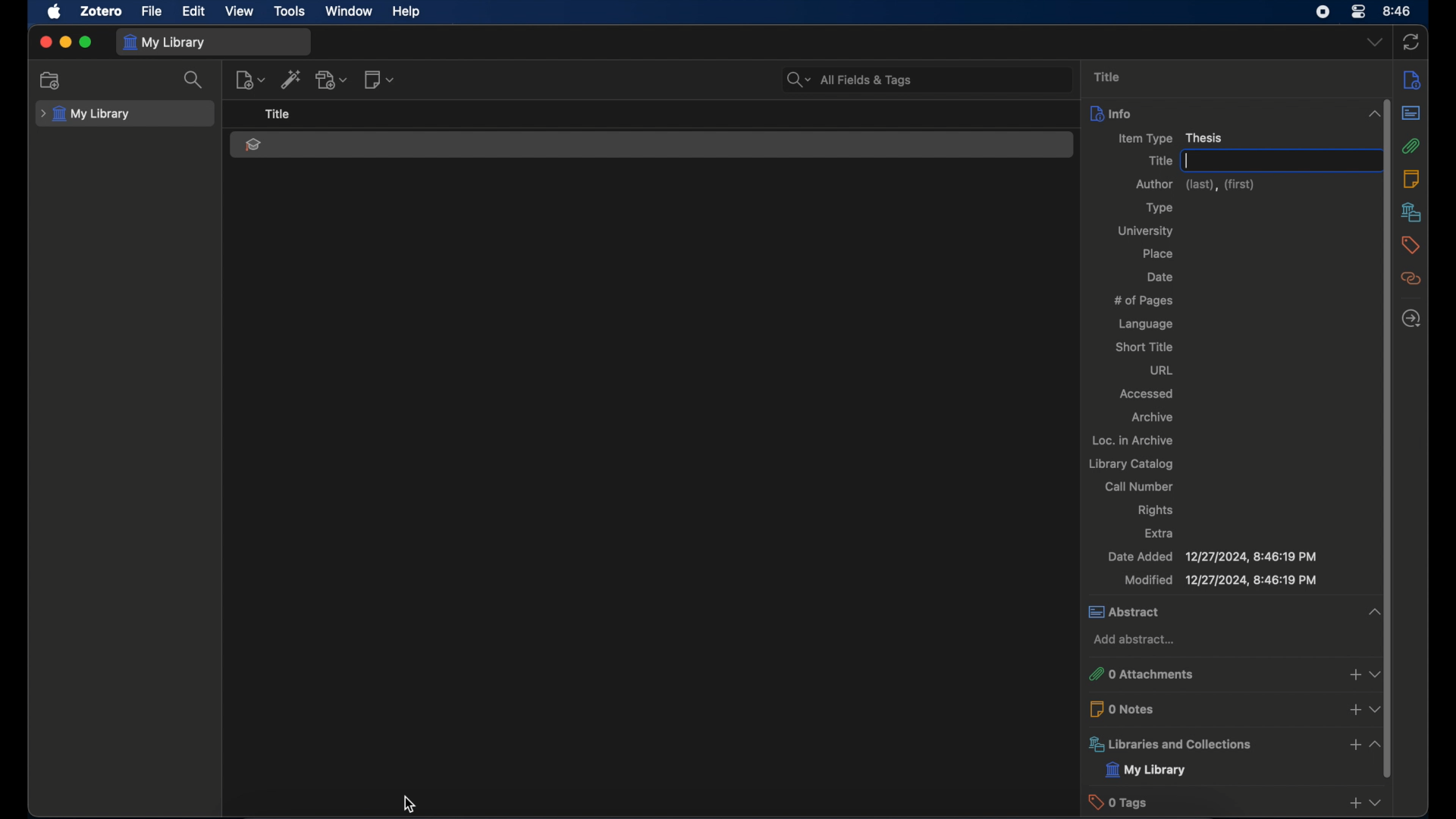 The height and width of the screenshot is (819, 1456). Describe the element at coordinates (1157, 162) in the screenshot. I see `title` at that location.